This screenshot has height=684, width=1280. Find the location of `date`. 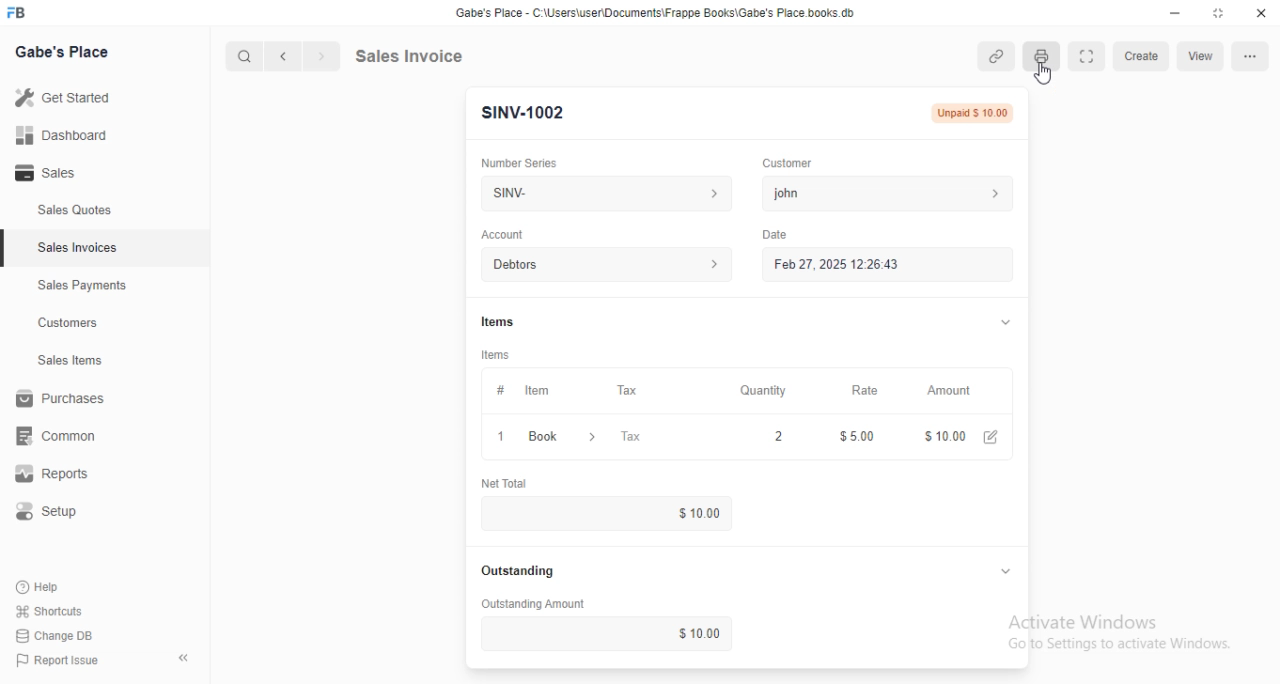

date is located at coordinates (775, 235).